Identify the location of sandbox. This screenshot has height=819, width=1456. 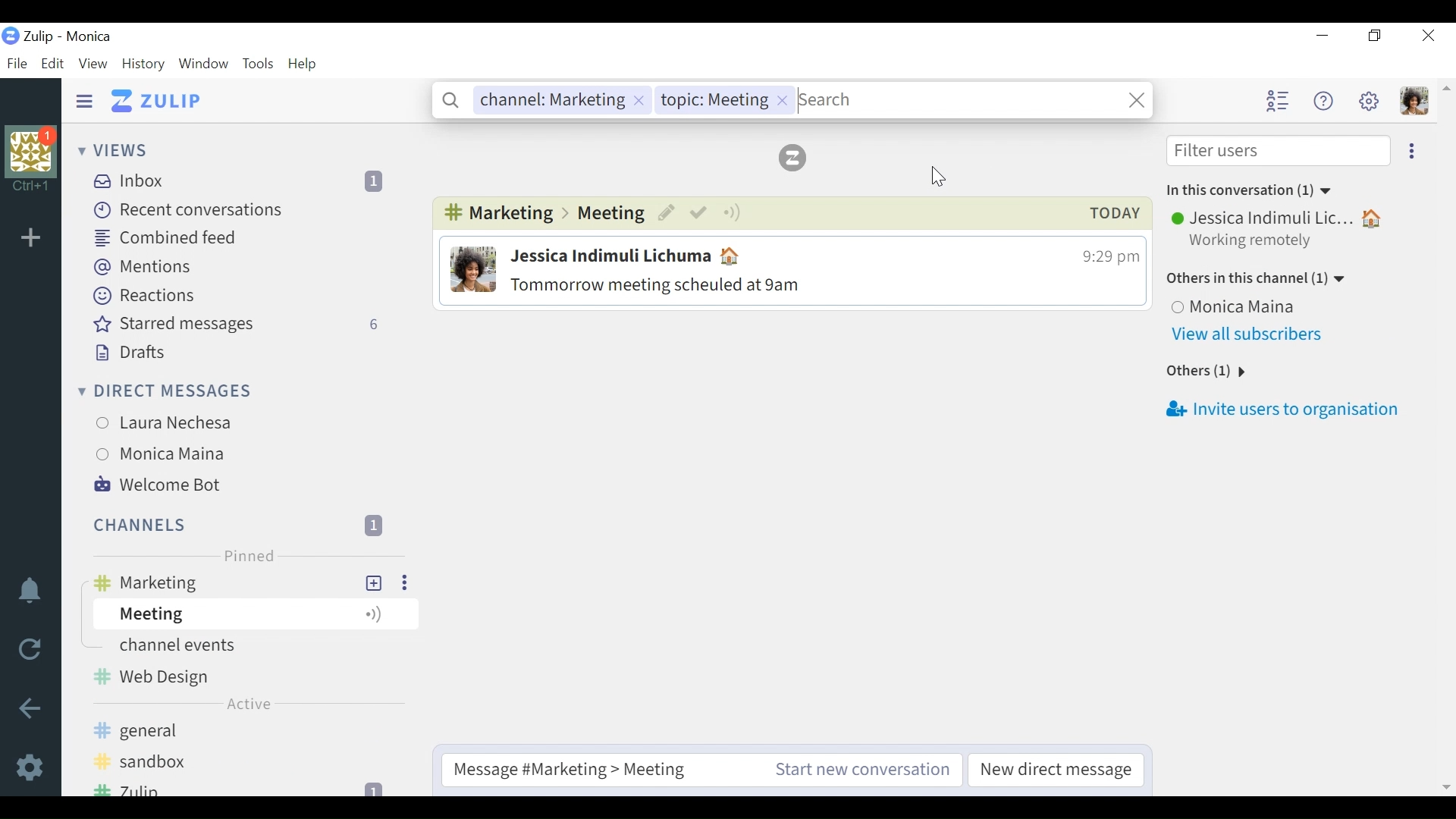
(196, 763).